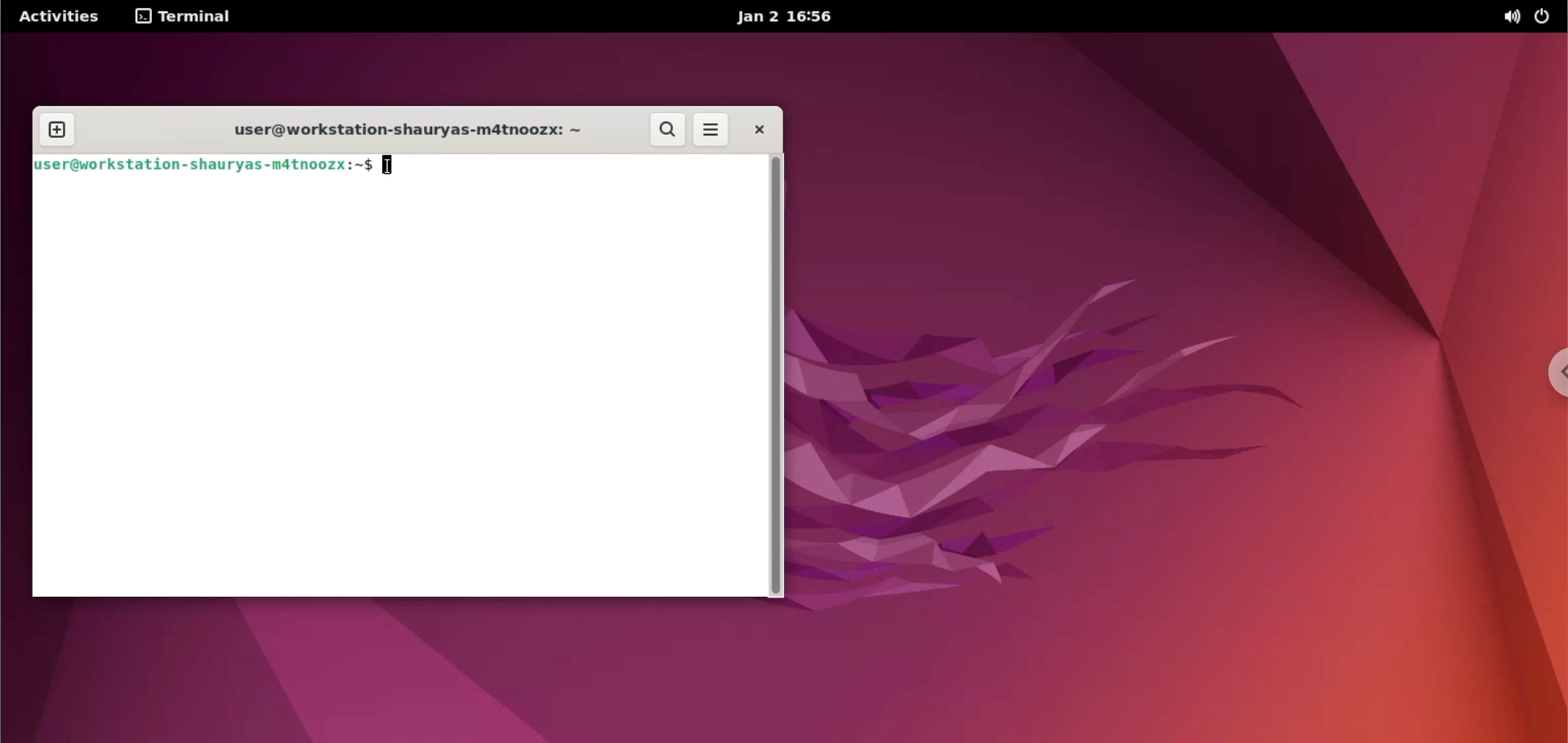  I want to click on Jan 2 16:56, so click(786, 18).